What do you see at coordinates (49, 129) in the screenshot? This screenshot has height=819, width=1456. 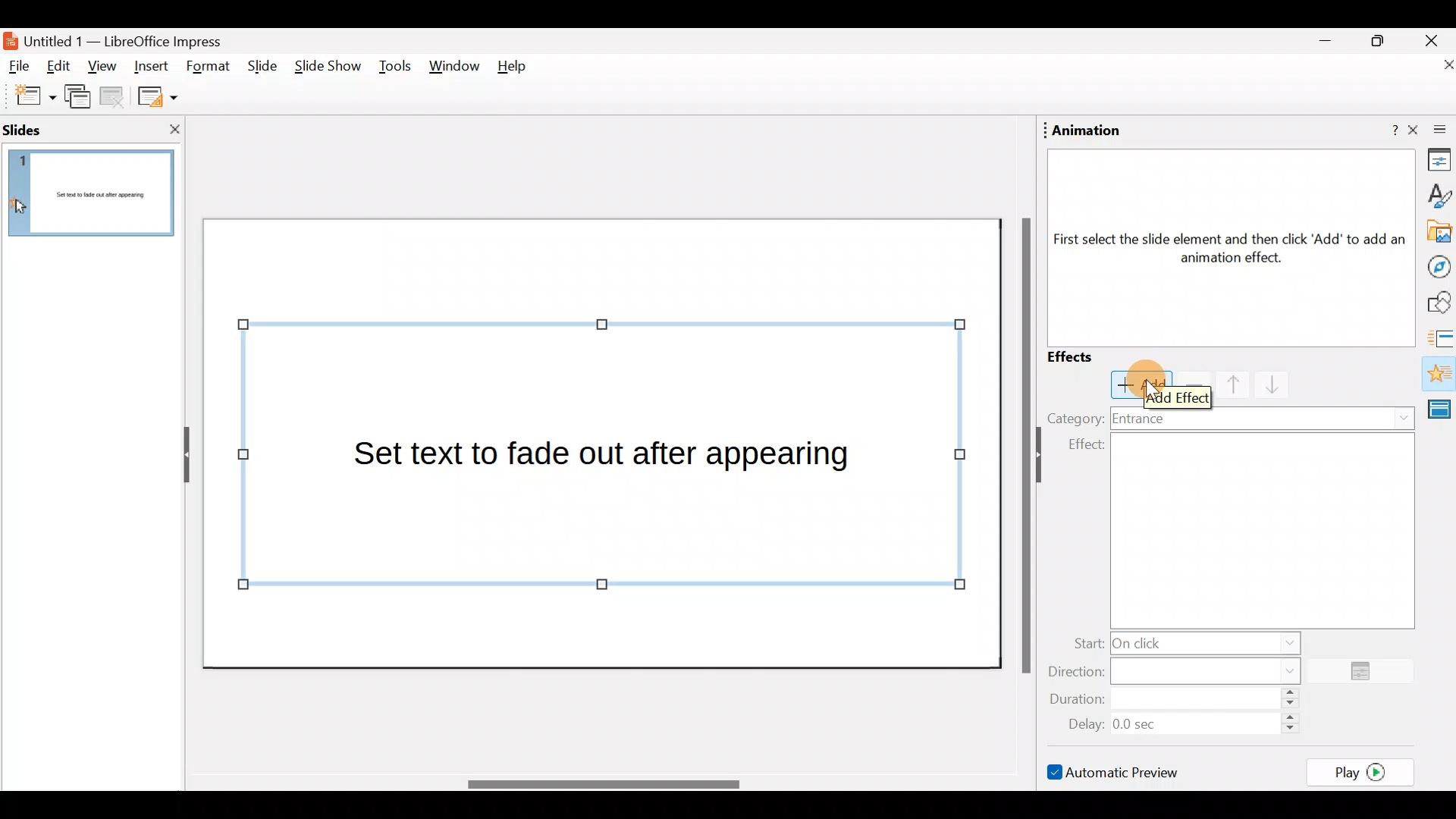 I see `Slides` at bounding box center [49, 129].